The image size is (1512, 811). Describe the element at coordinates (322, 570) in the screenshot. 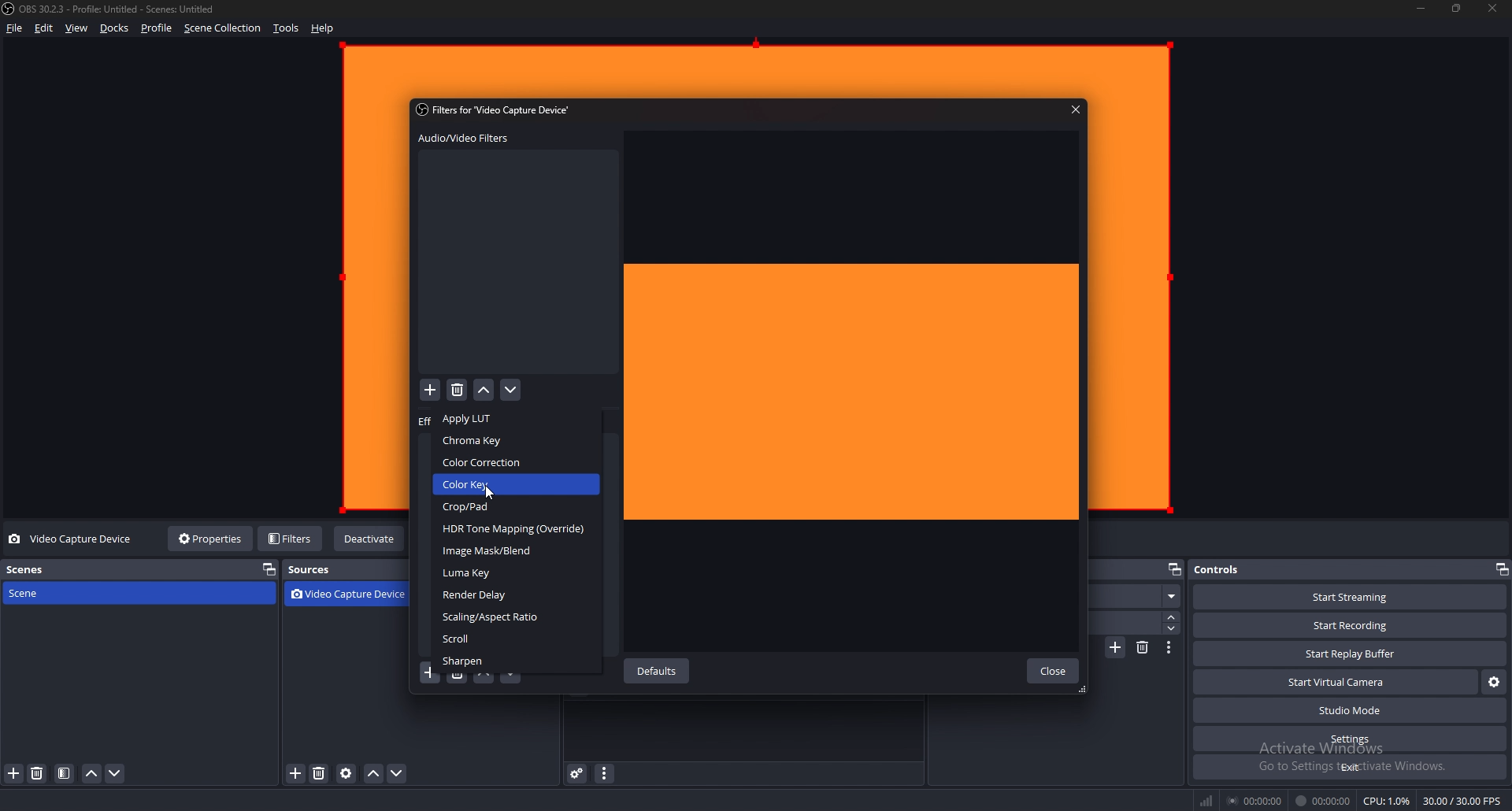

I see `sources` at that location.